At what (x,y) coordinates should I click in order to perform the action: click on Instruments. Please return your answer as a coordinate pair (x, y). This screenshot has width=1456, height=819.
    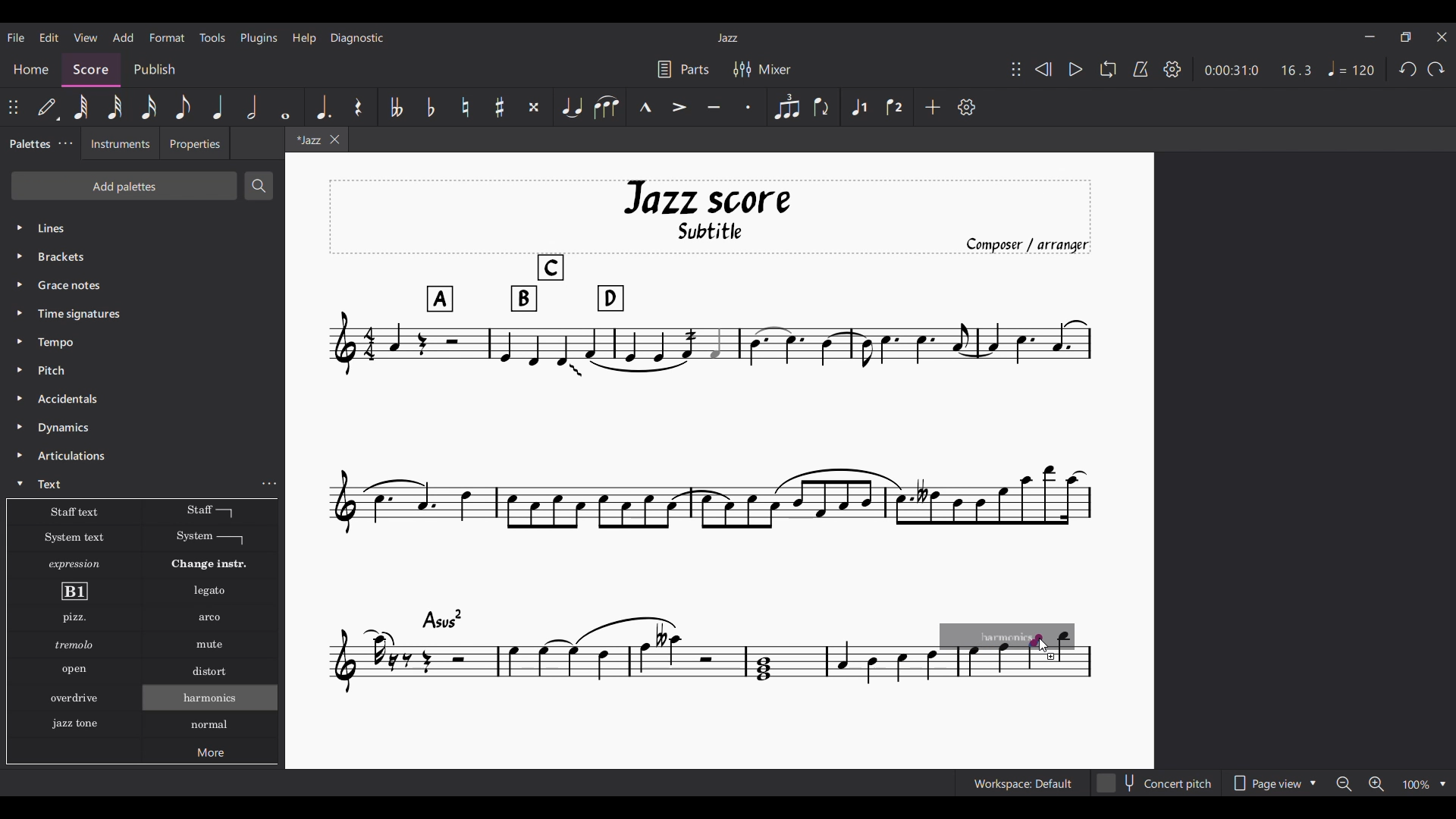
    Looking at the image, I should click on (119, 143).